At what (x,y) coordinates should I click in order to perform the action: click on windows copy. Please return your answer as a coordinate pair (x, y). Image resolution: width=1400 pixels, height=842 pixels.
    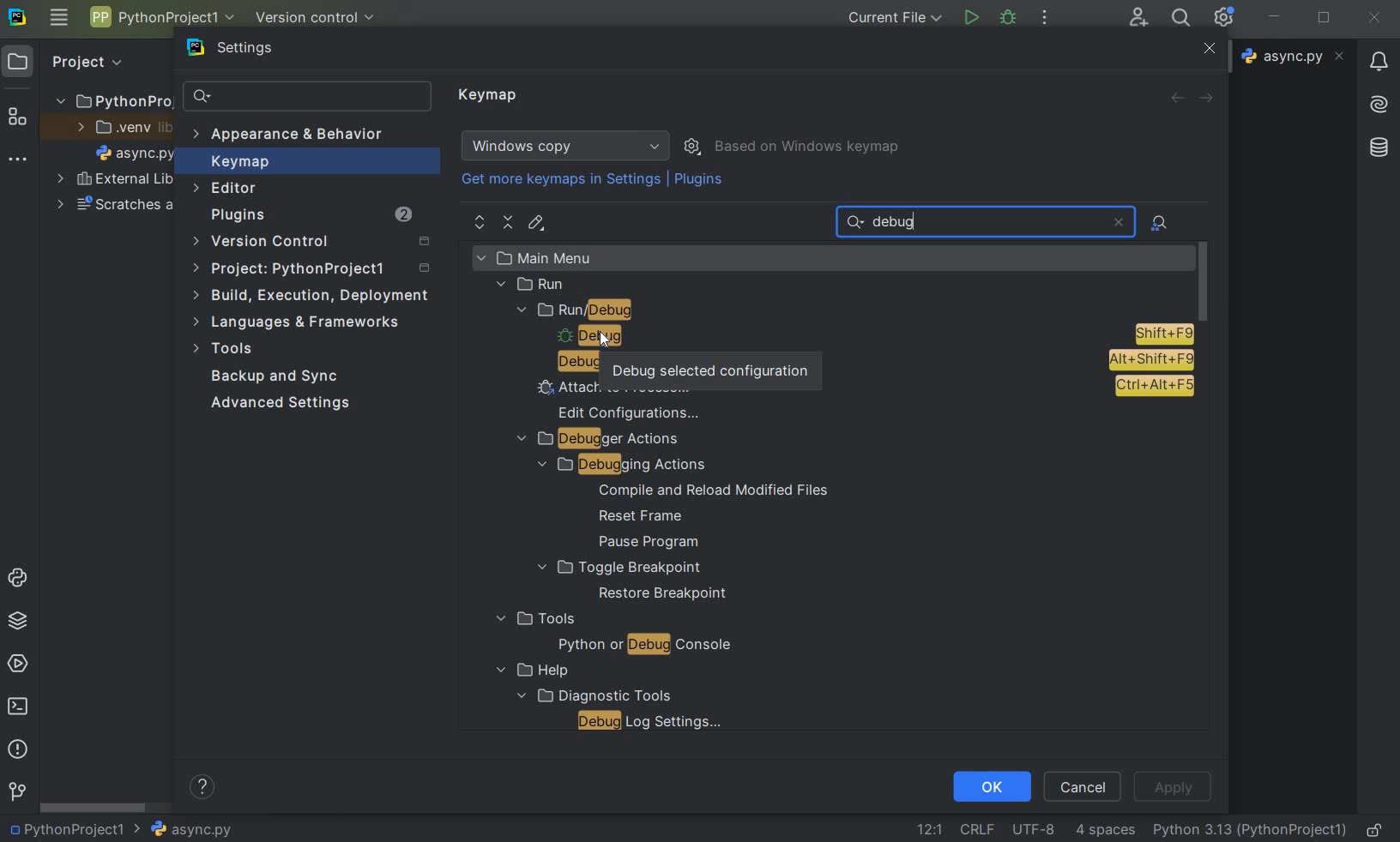
    Looking at the image, I should click on (568, 146).